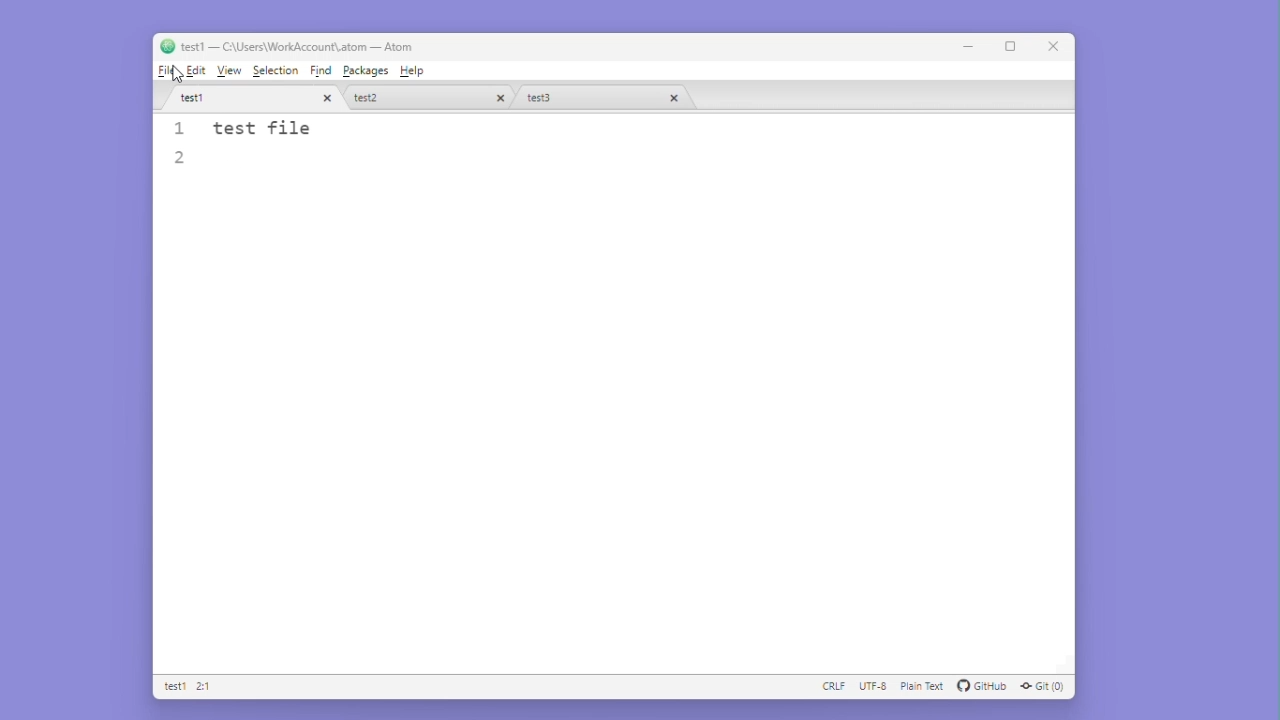 The image size is (1280, 720). What do you see at coordinates (366, 71) in the screenshot?
I see `Packages` at bounding box center [366, 71].